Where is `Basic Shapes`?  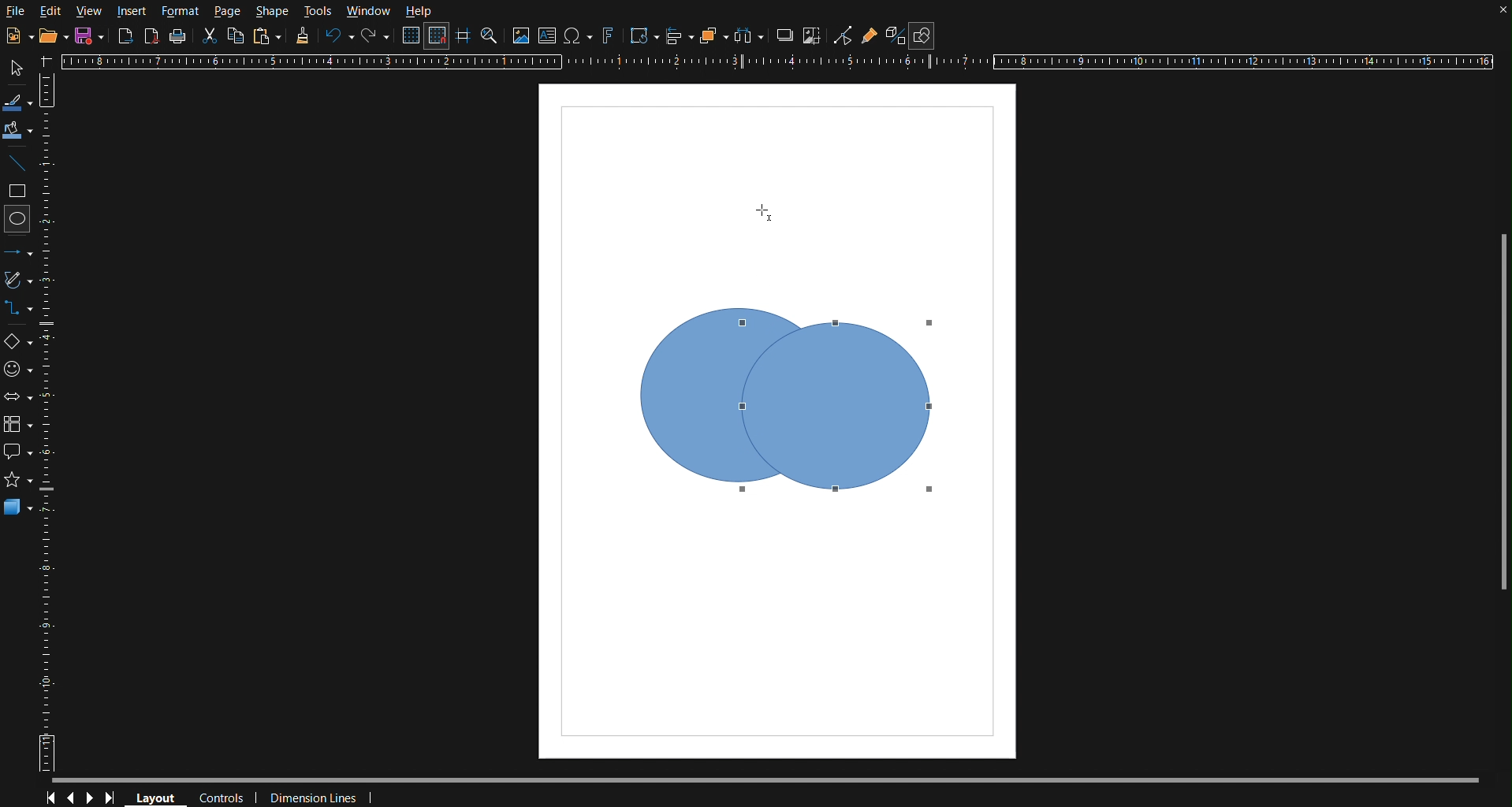 Basic Shapes is located at coordinates (17, 338).